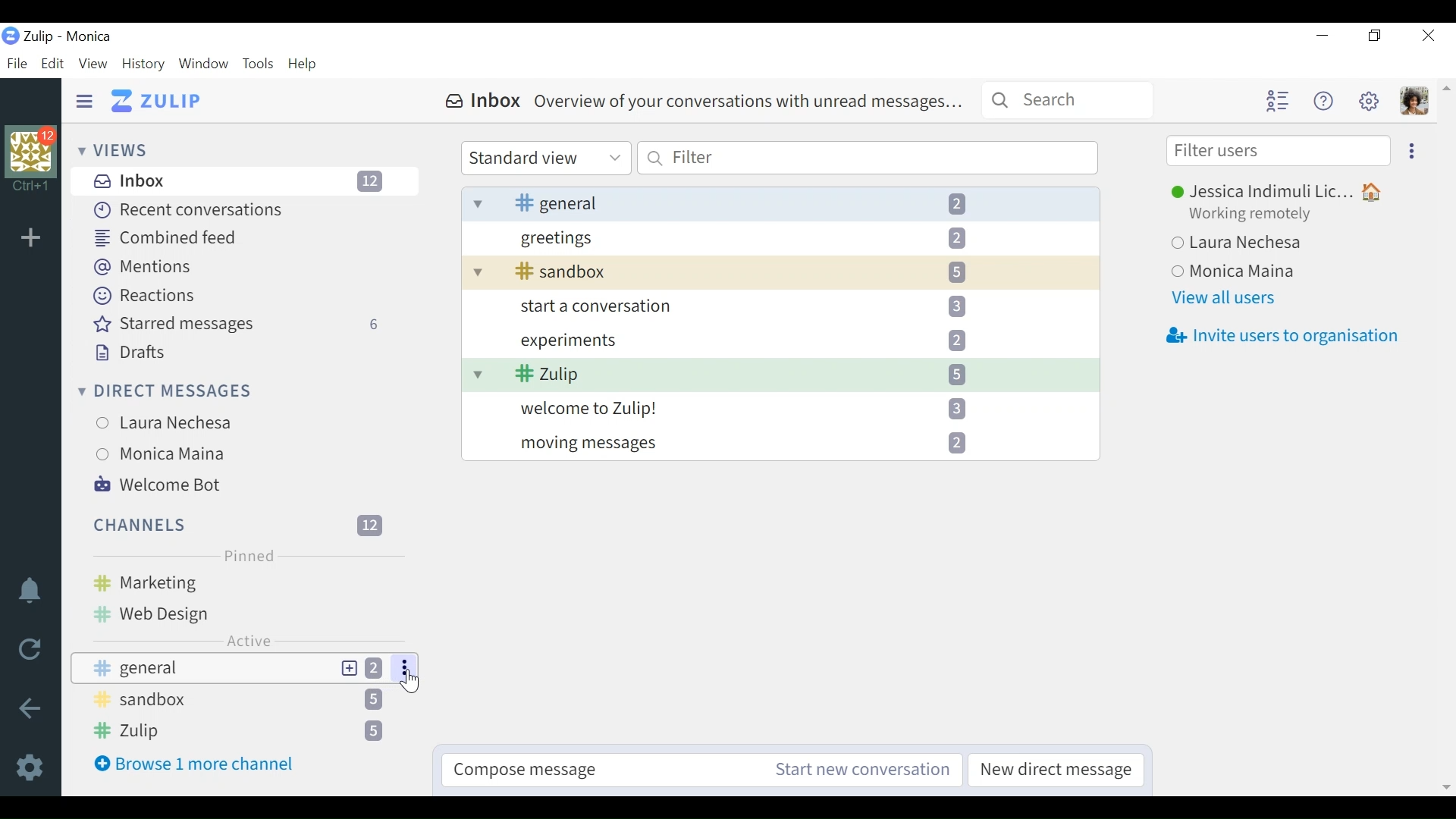  Describe the element at coordinates (169, 237) in the screenshot. I see `Combined feed` at that location.